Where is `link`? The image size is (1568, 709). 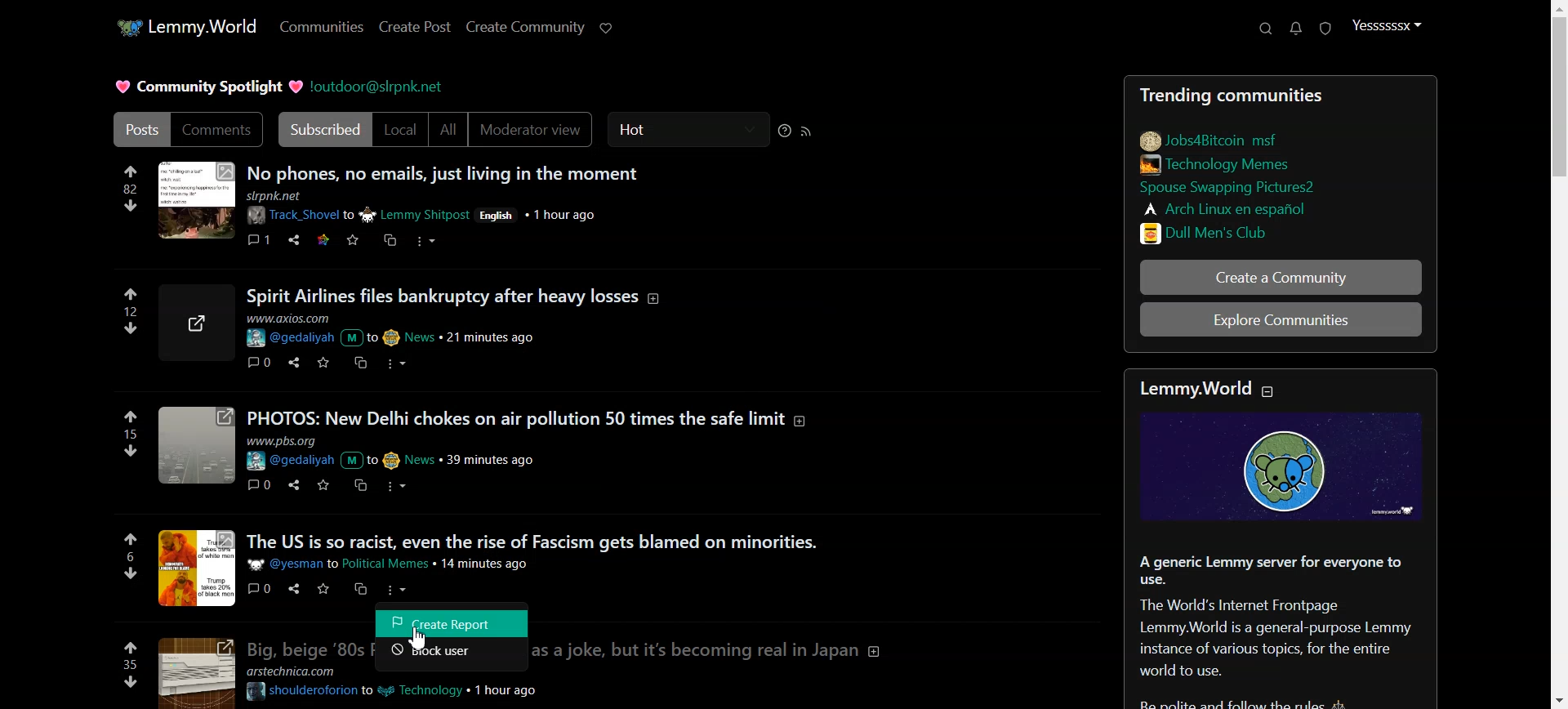
link is located at coordinates (321, 239).